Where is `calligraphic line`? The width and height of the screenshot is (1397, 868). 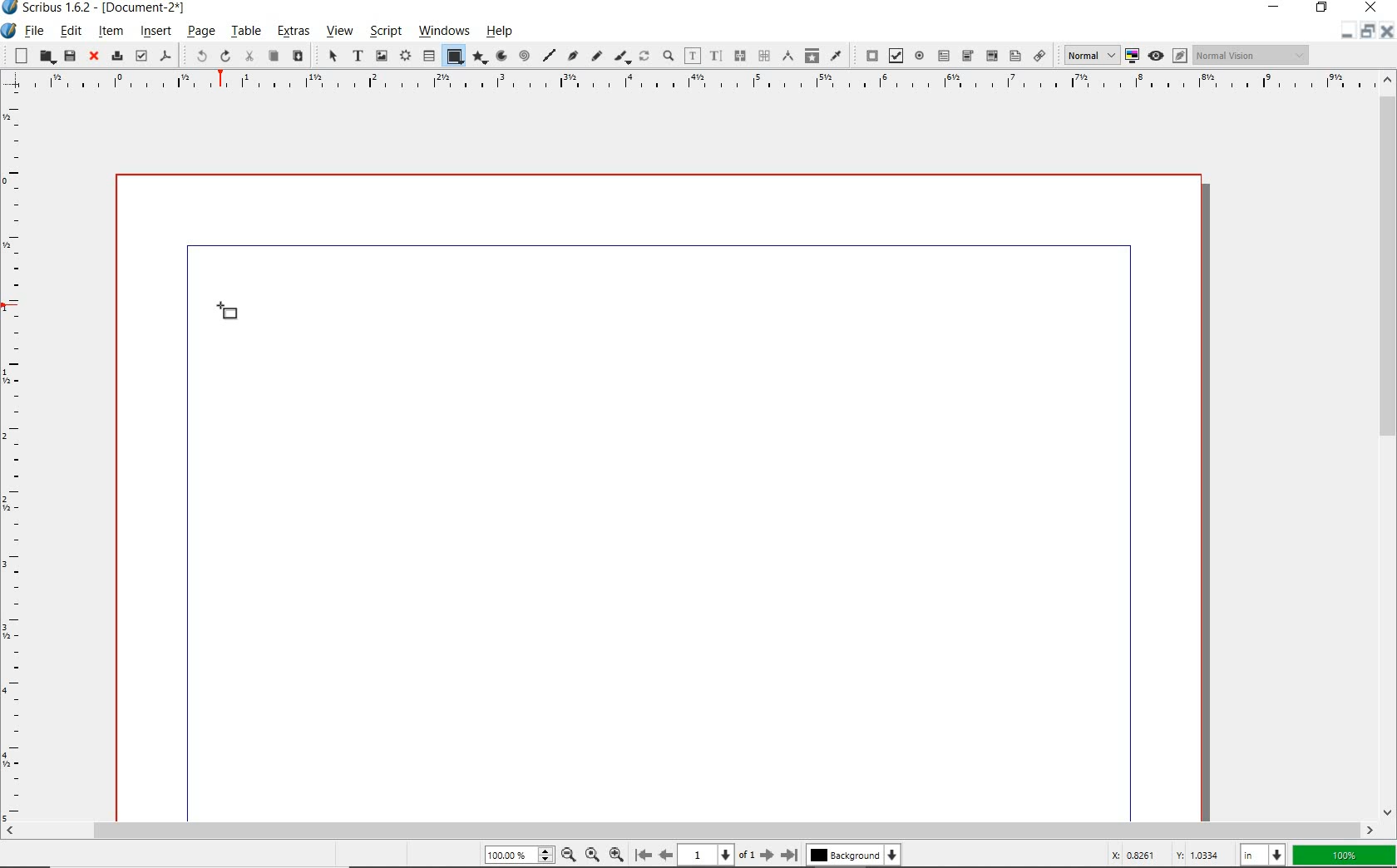
calligraphic line is located at coordinates (623, 57).